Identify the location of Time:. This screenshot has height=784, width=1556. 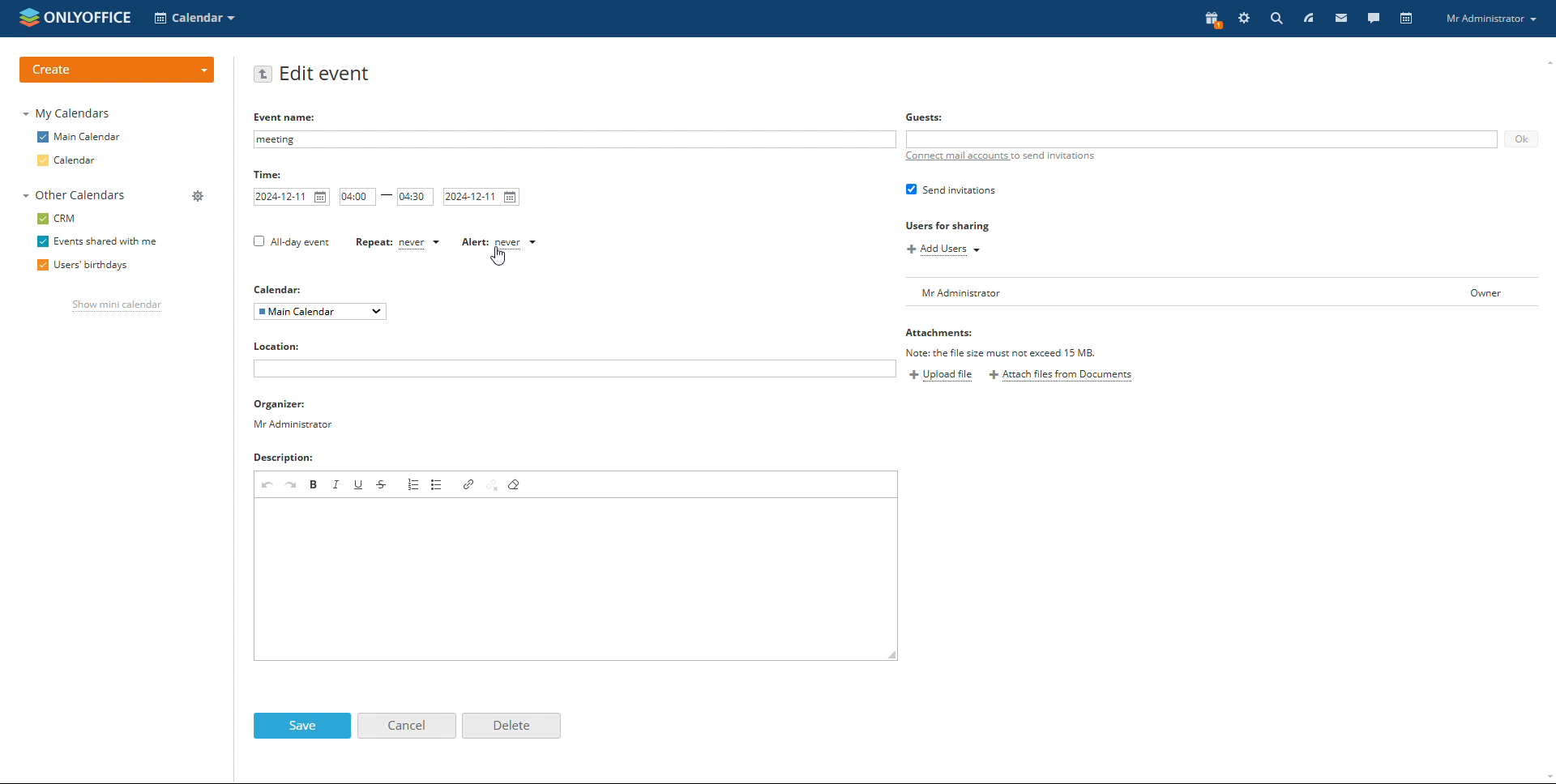
(268, 175).